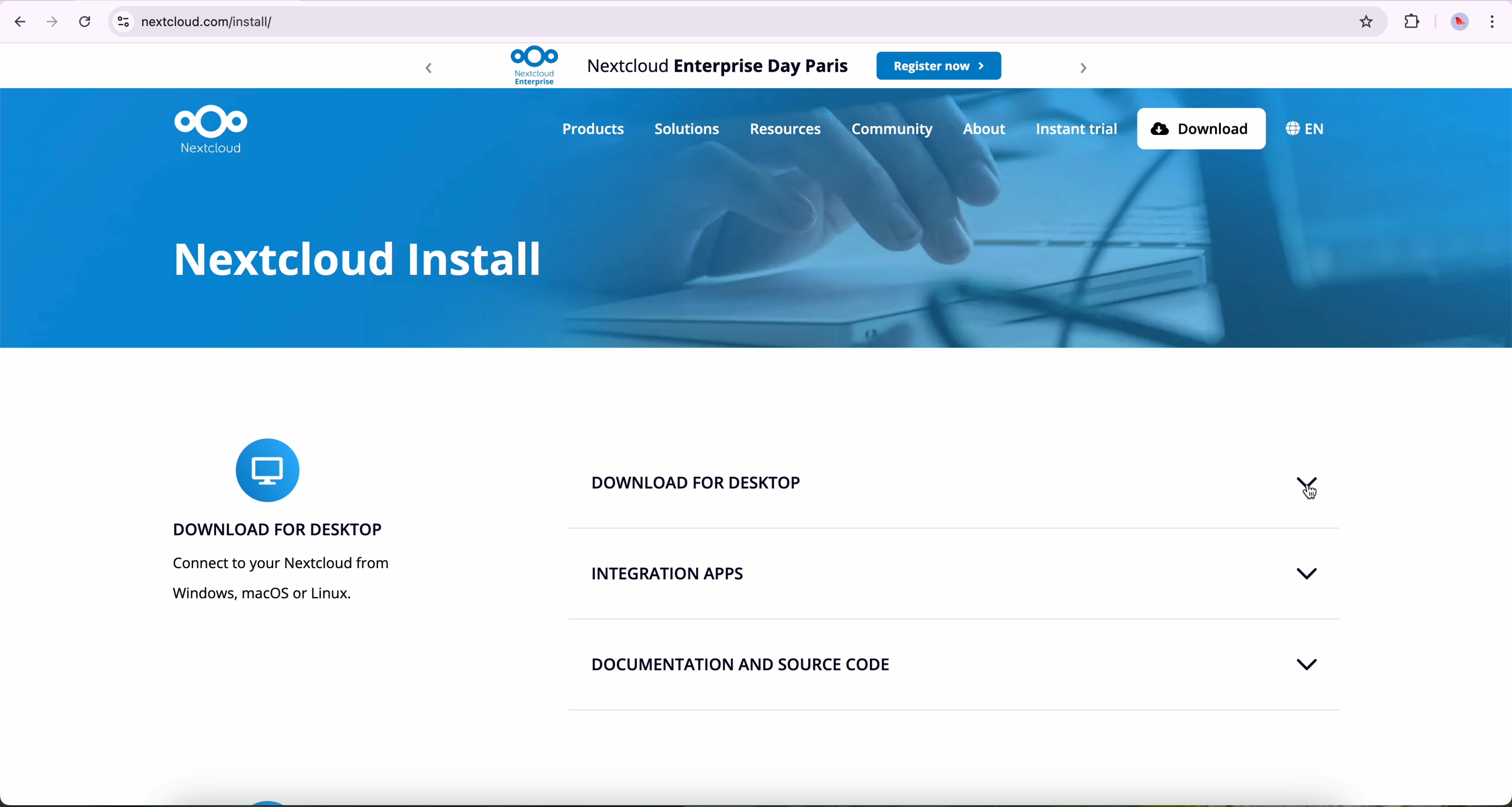 This screenshot has width=1512, height=807. I want to click on line, so click(953, 526).